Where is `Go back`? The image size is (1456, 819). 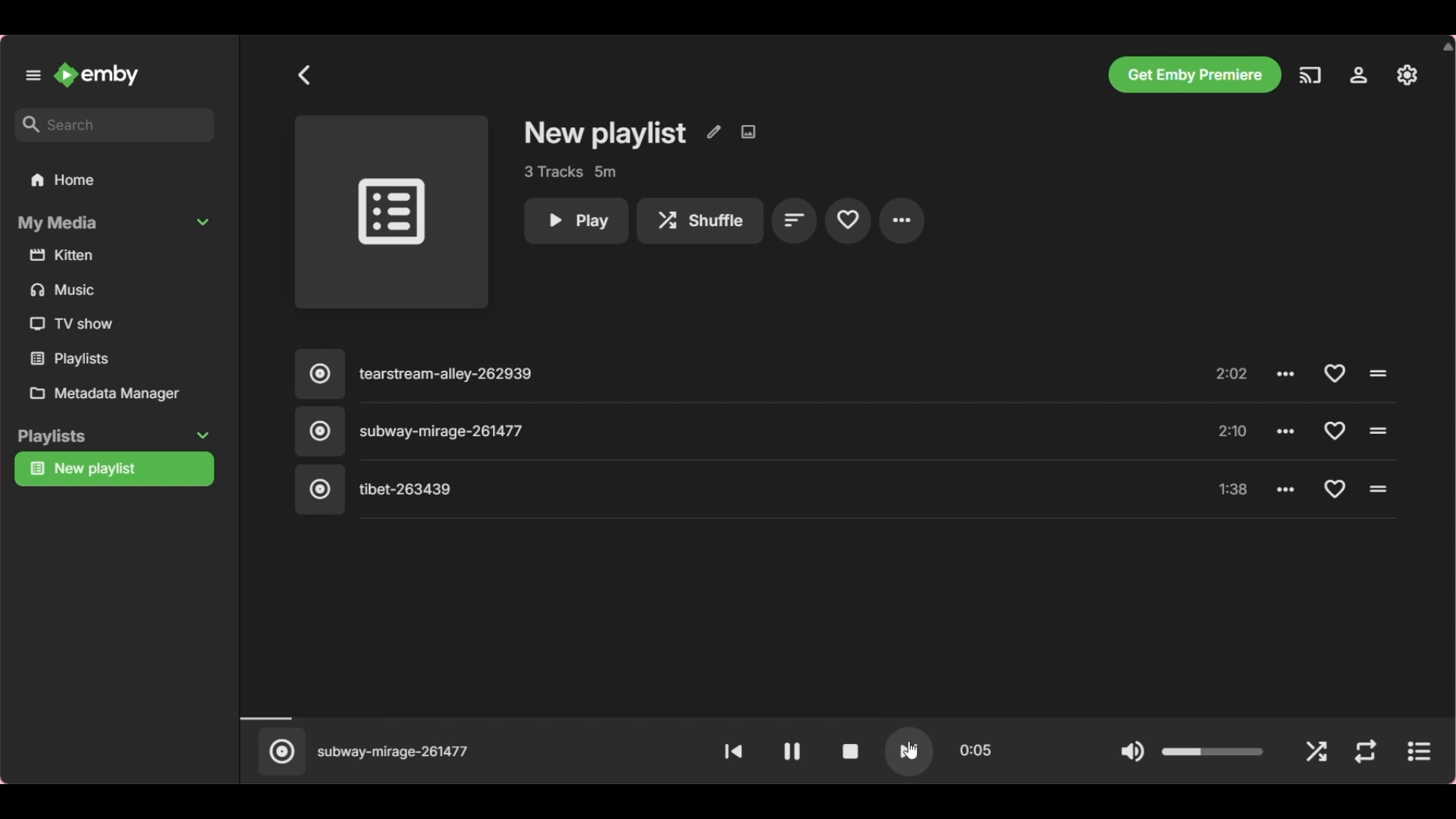
Go back is located at coordinates (303, 74).